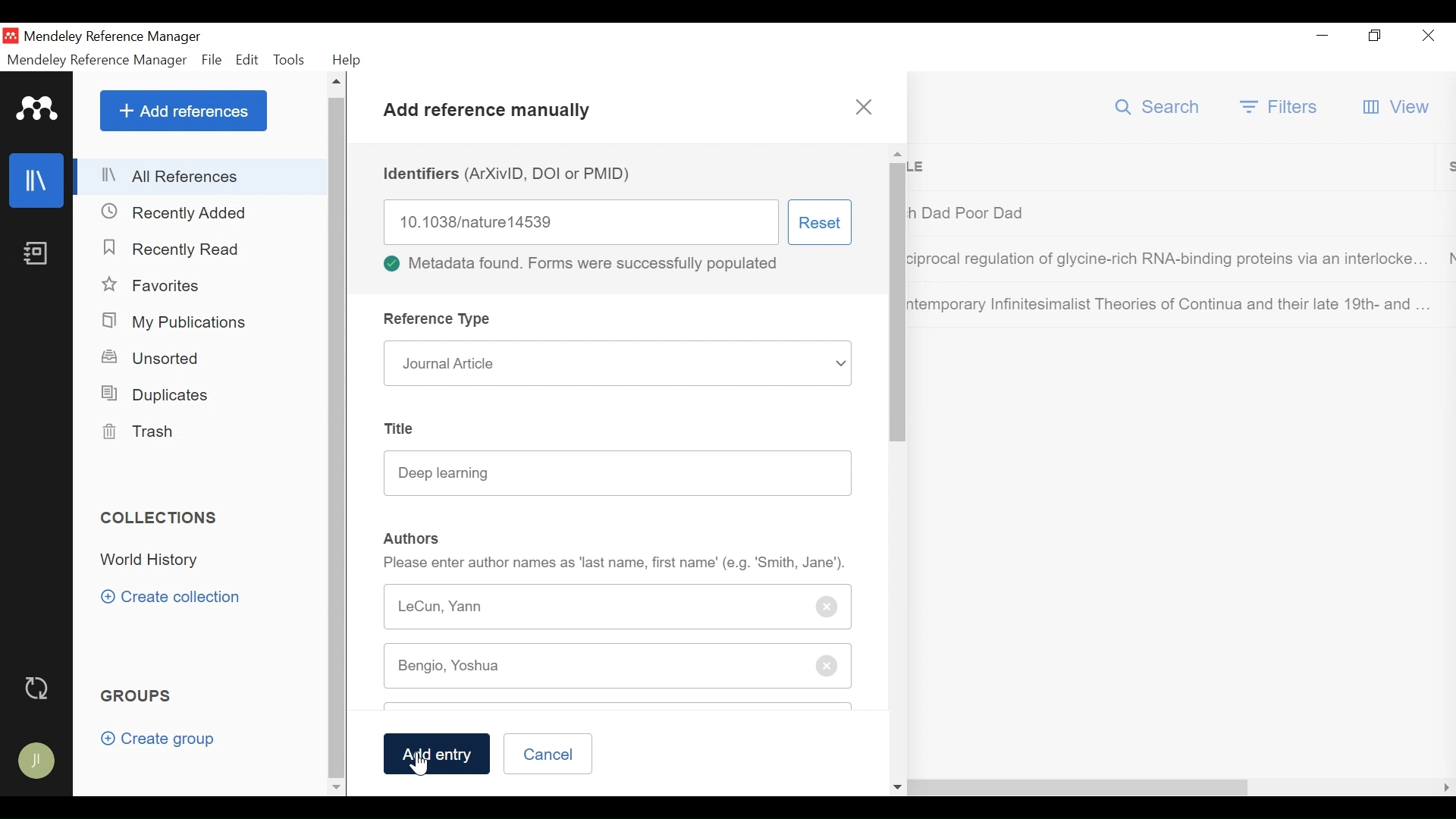  What do you see at coordinates (212, 60) in the screenshot?
I see `File` at bounding box center [212, 60].